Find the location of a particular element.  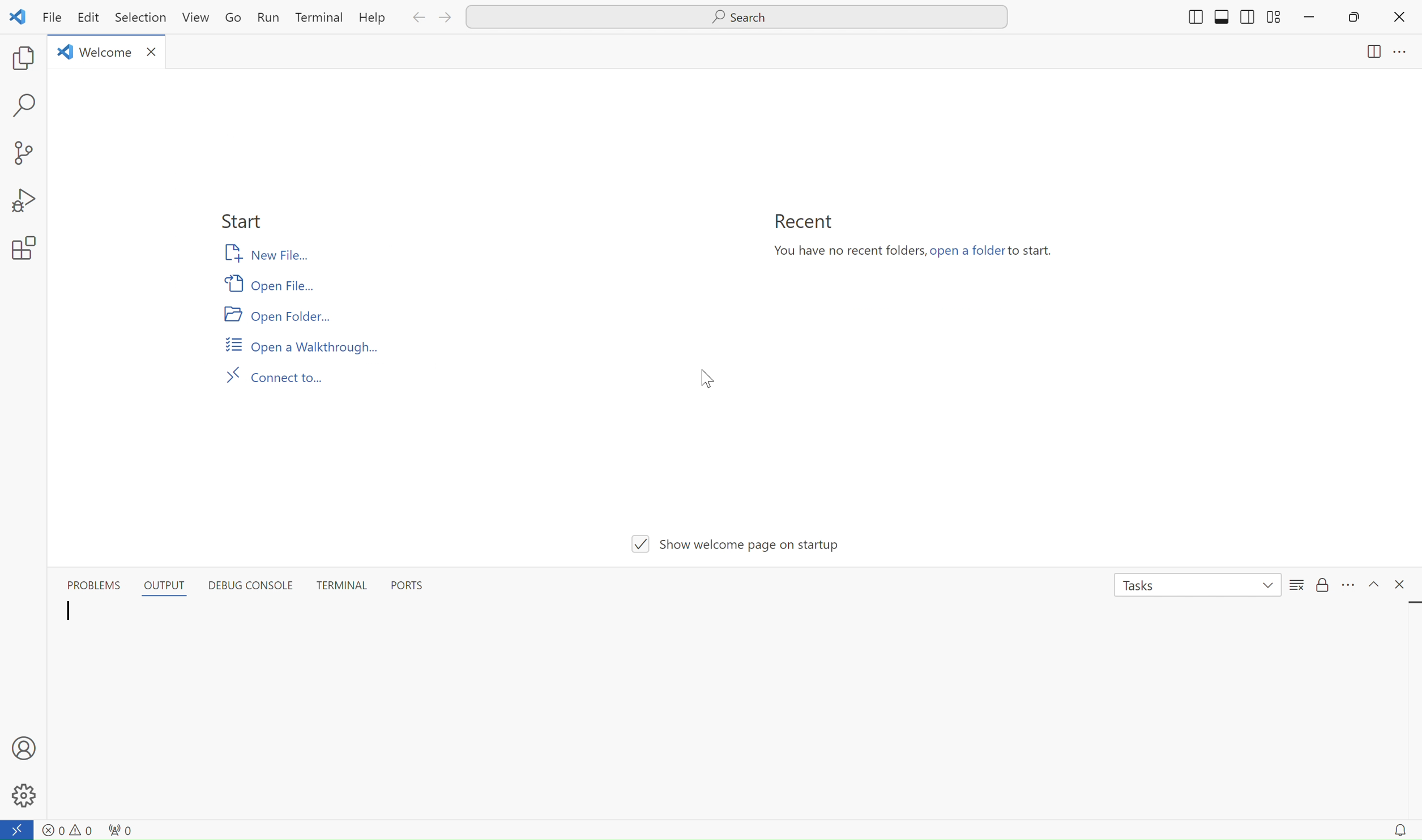

cursor is located at coordinates (63, 619).